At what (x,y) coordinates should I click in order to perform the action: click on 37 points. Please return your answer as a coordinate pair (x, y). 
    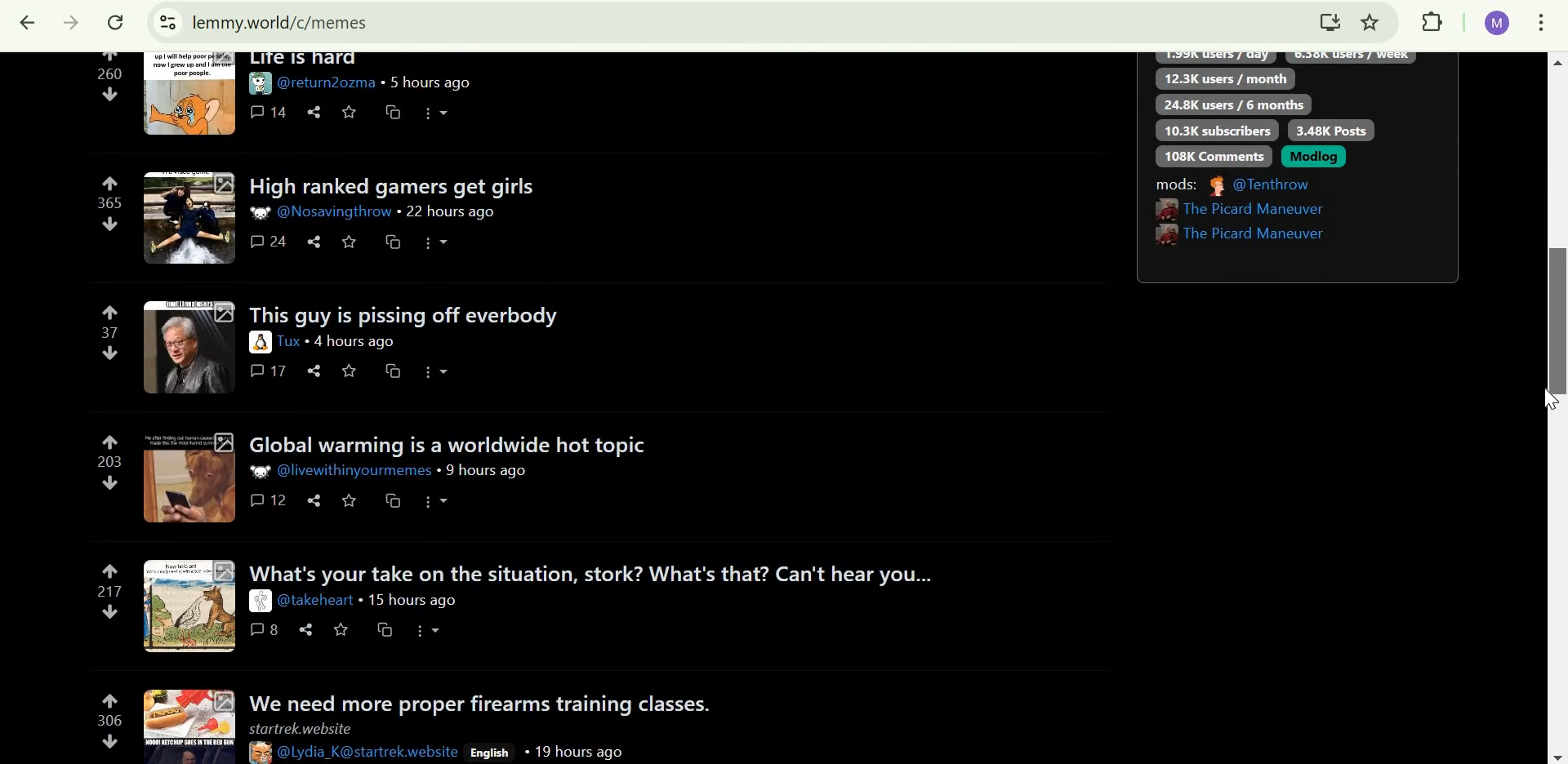
    Looking at the image, I should click on (110, 333).